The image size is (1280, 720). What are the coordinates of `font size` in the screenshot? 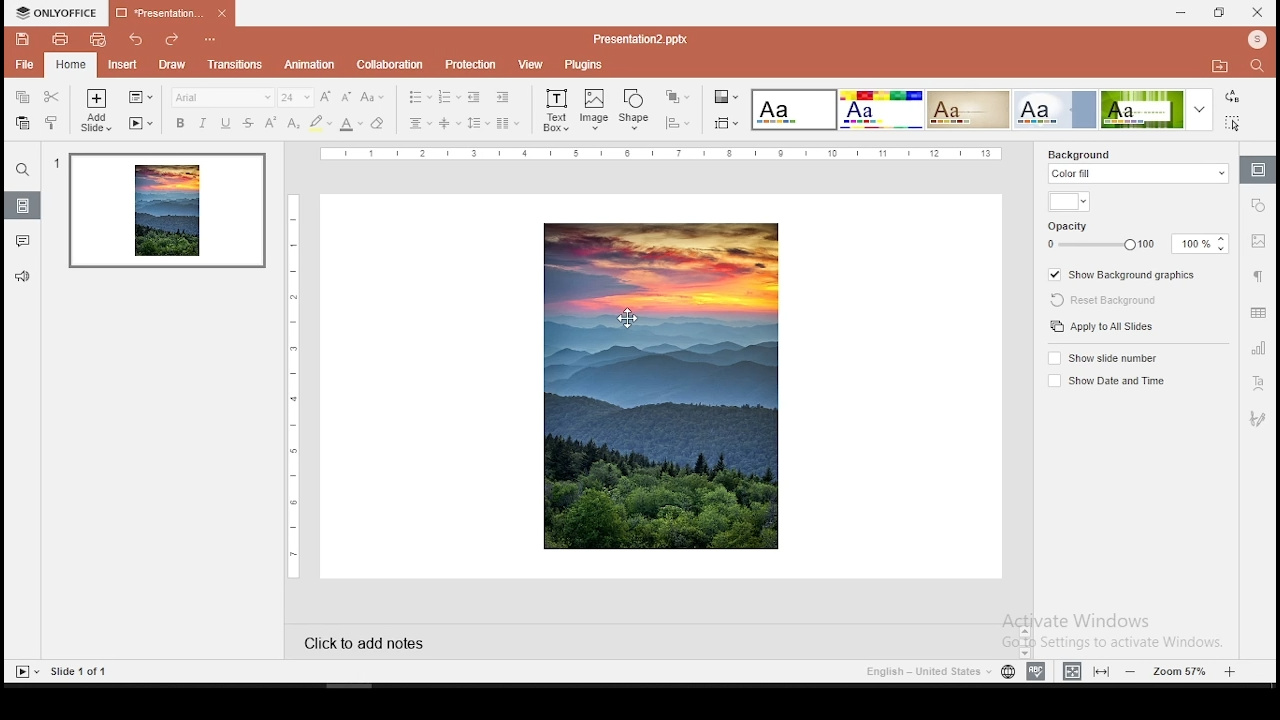 It's located at (296, 97).